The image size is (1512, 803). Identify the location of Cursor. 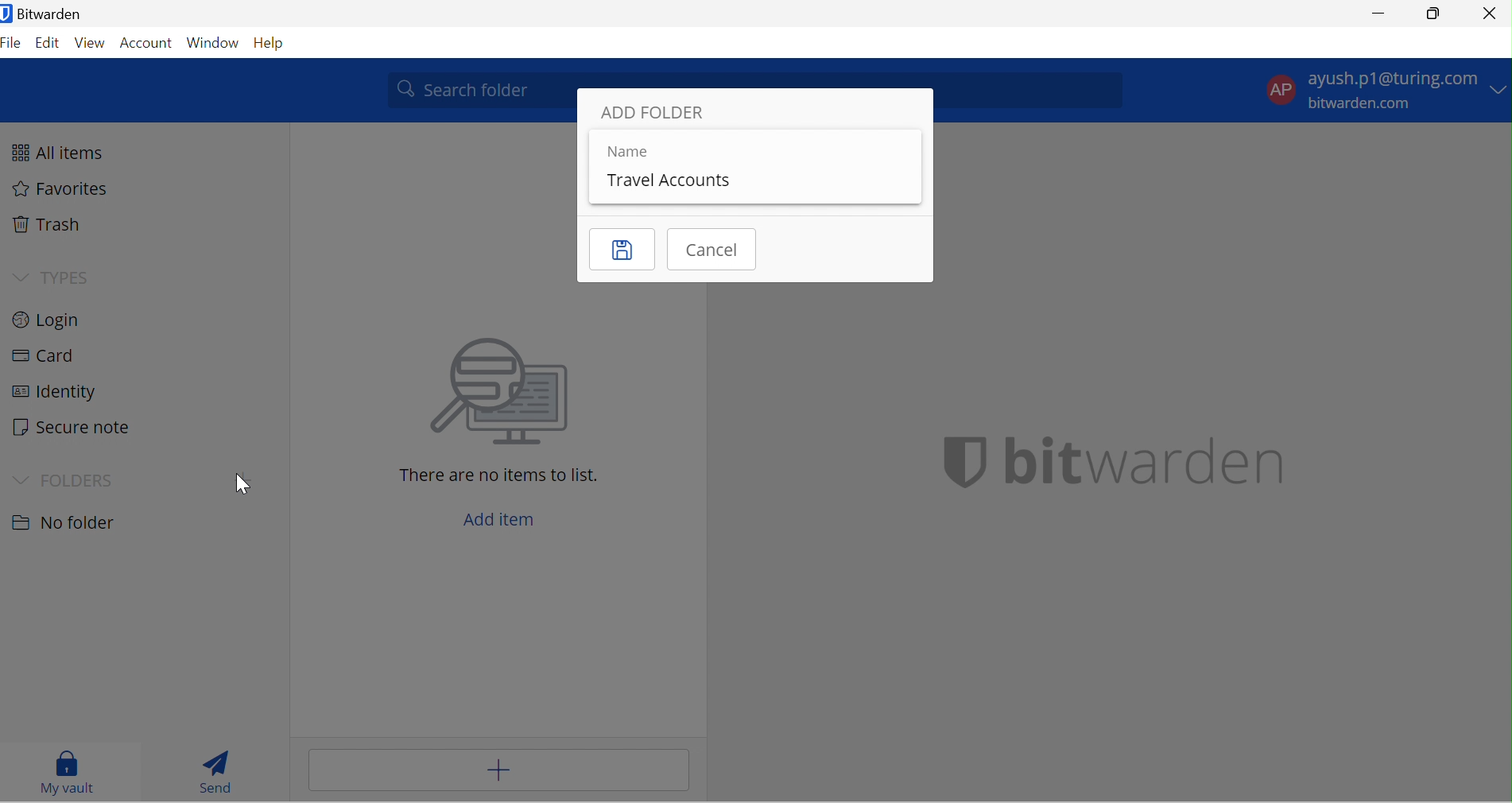
(242, 483).